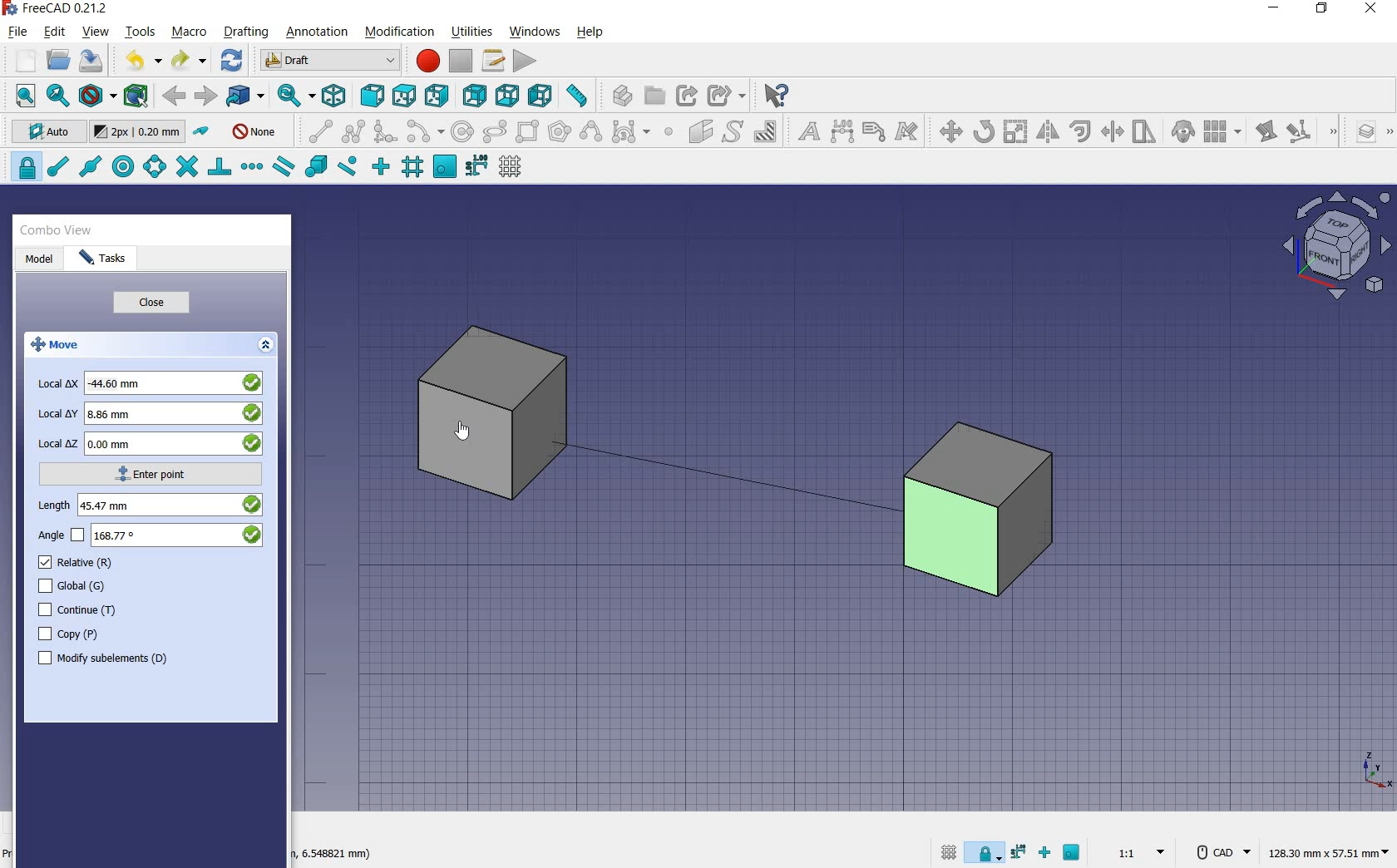  Describe the element at coordinates (766, 131) in the screenshot. I see `hatch` at that location.